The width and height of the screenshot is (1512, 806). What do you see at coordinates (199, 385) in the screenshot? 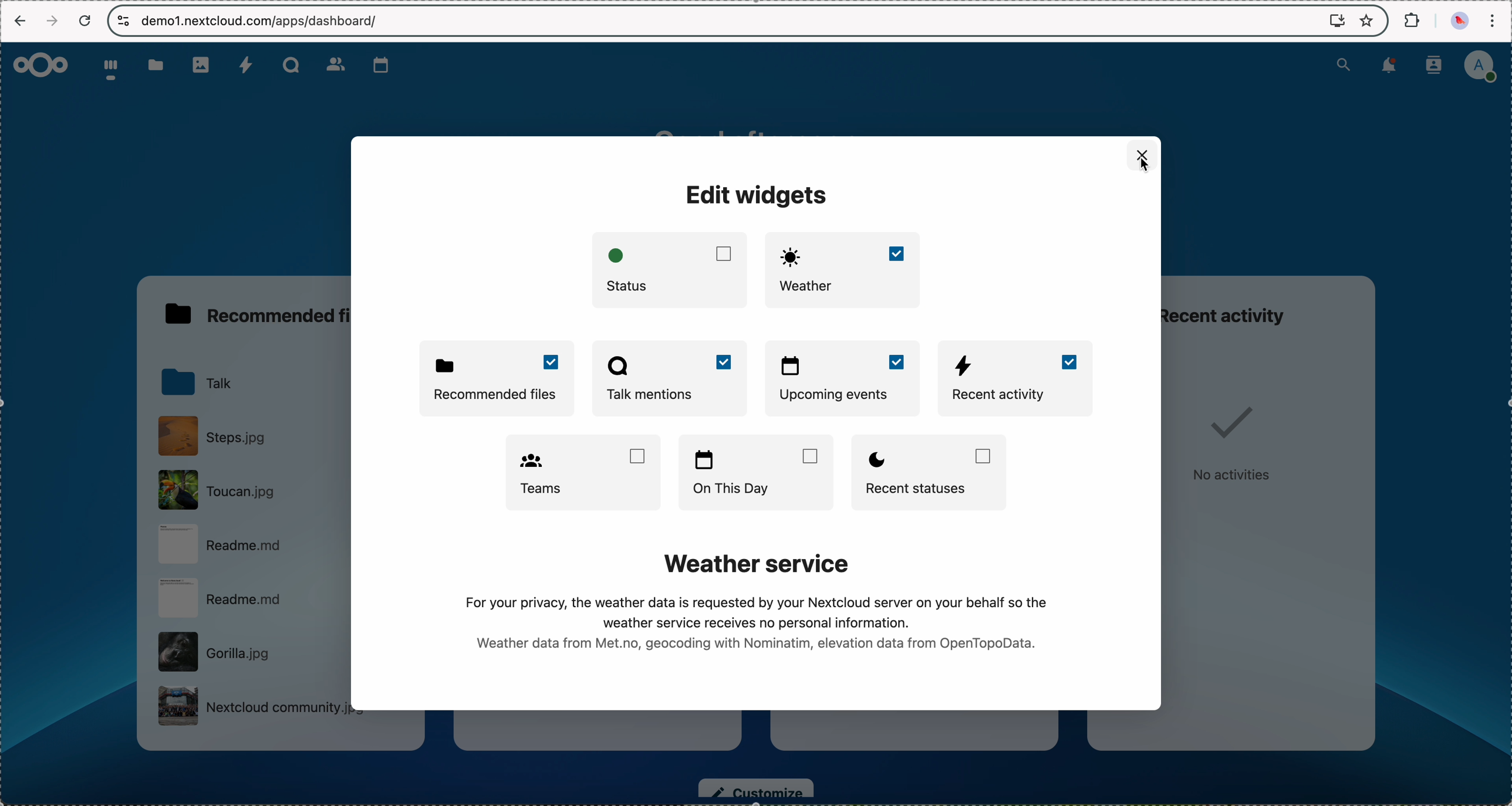
I see `folder` at bounding box center [199, 385].